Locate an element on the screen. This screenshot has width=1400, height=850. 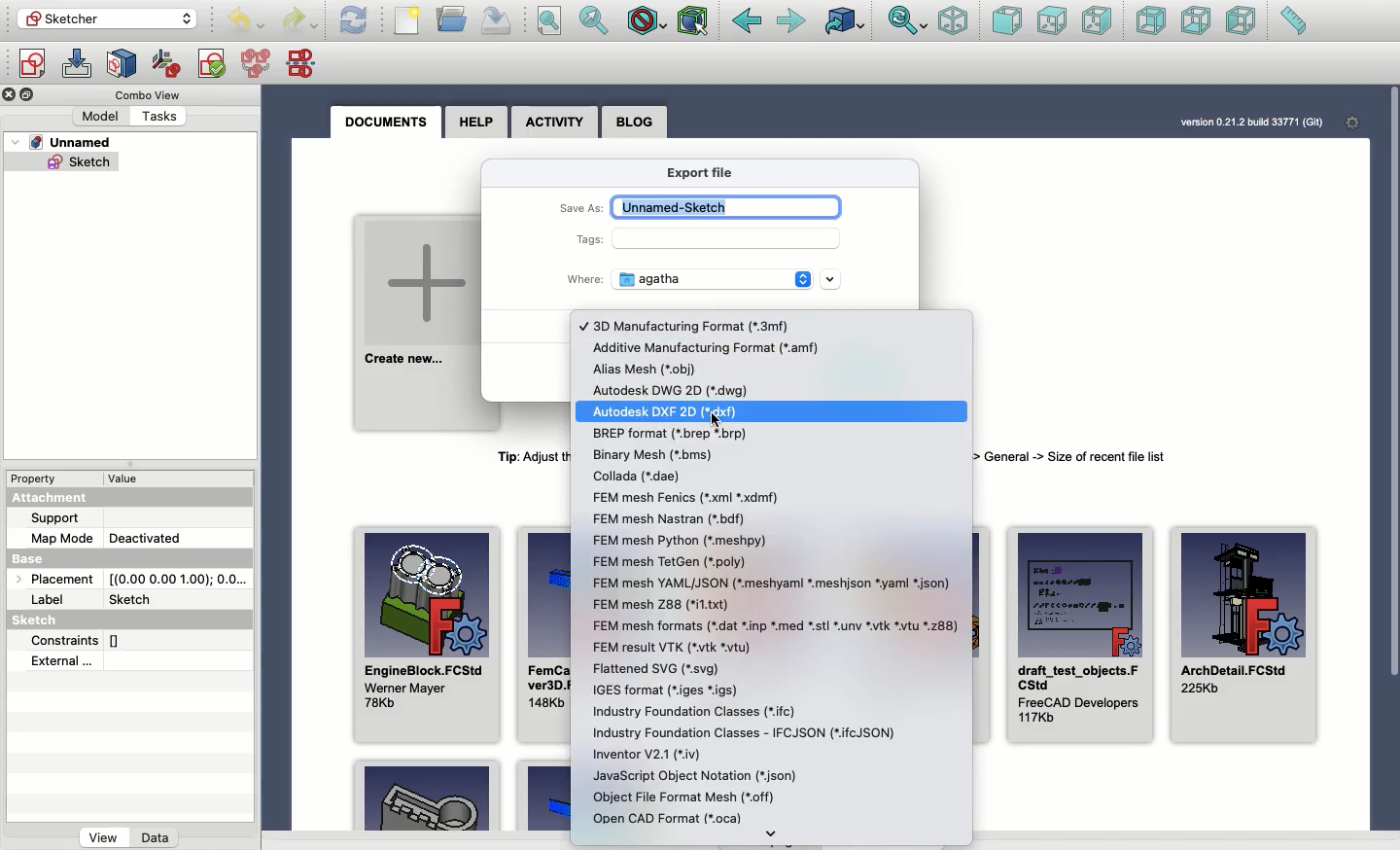
3D manufacturing format is located at coordinates (684, 327).